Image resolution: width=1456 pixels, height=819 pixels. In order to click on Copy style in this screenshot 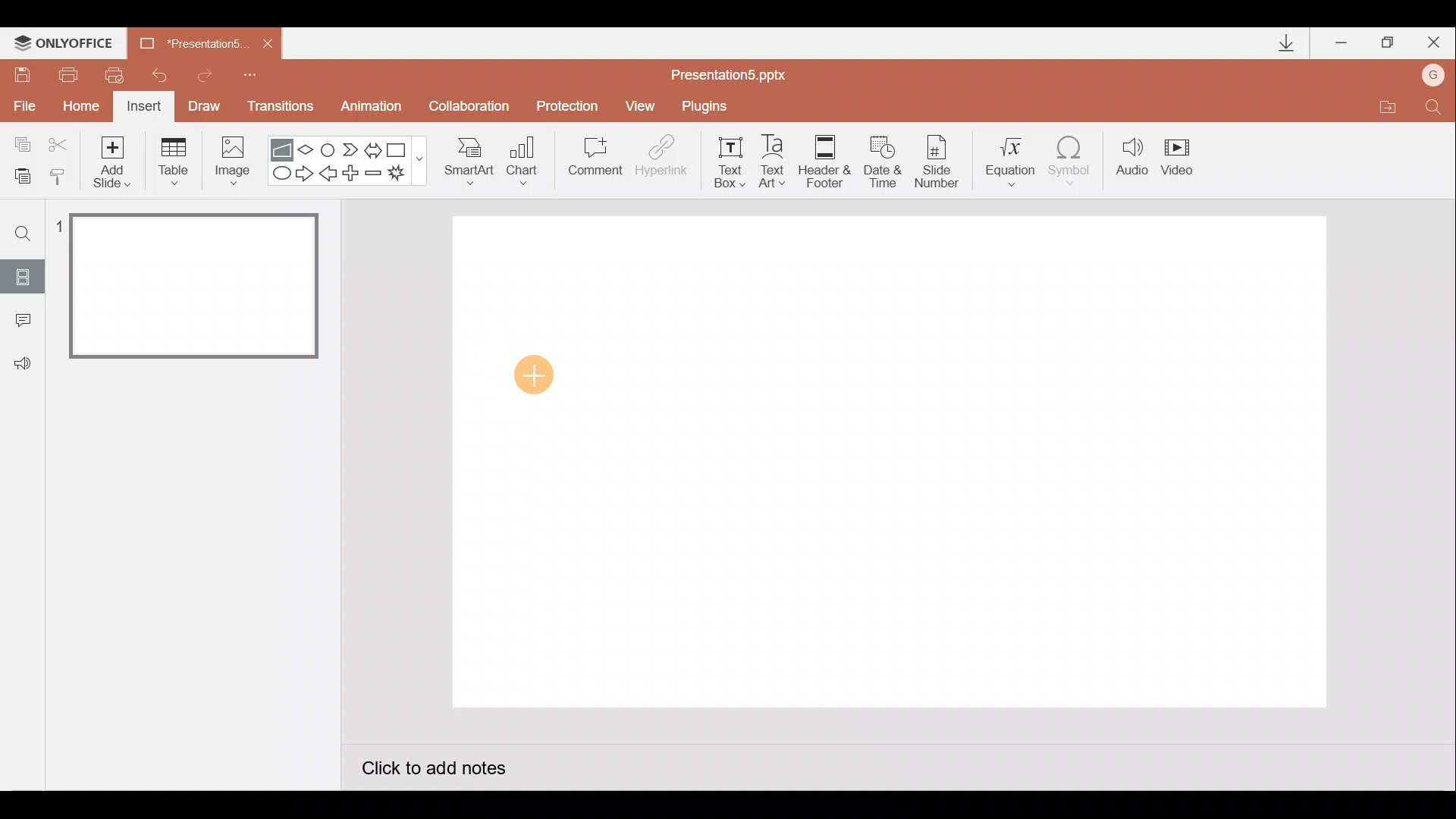, I will do `click(59, 174)`.